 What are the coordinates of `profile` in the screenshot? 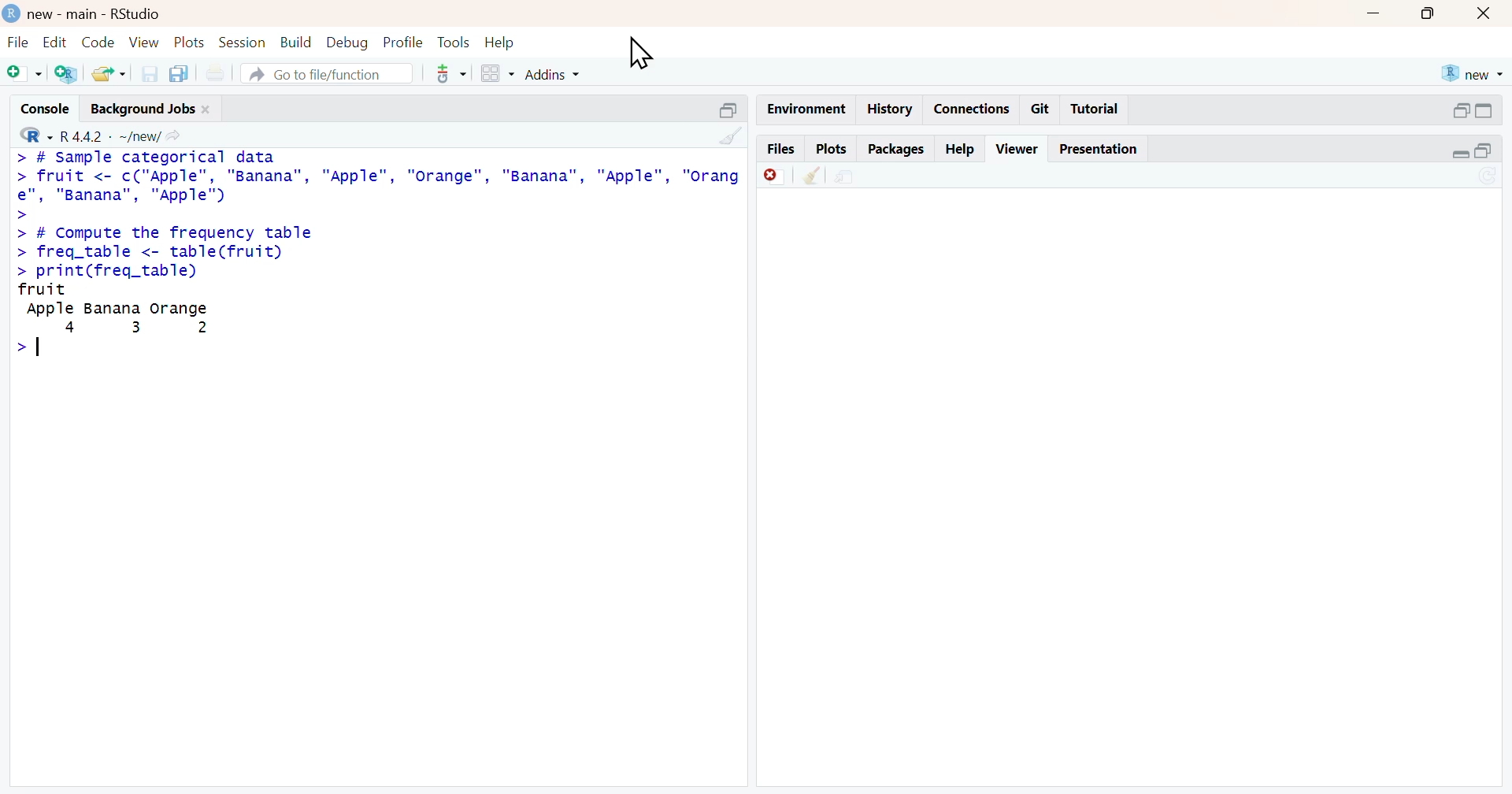 It's located at (402, 42).